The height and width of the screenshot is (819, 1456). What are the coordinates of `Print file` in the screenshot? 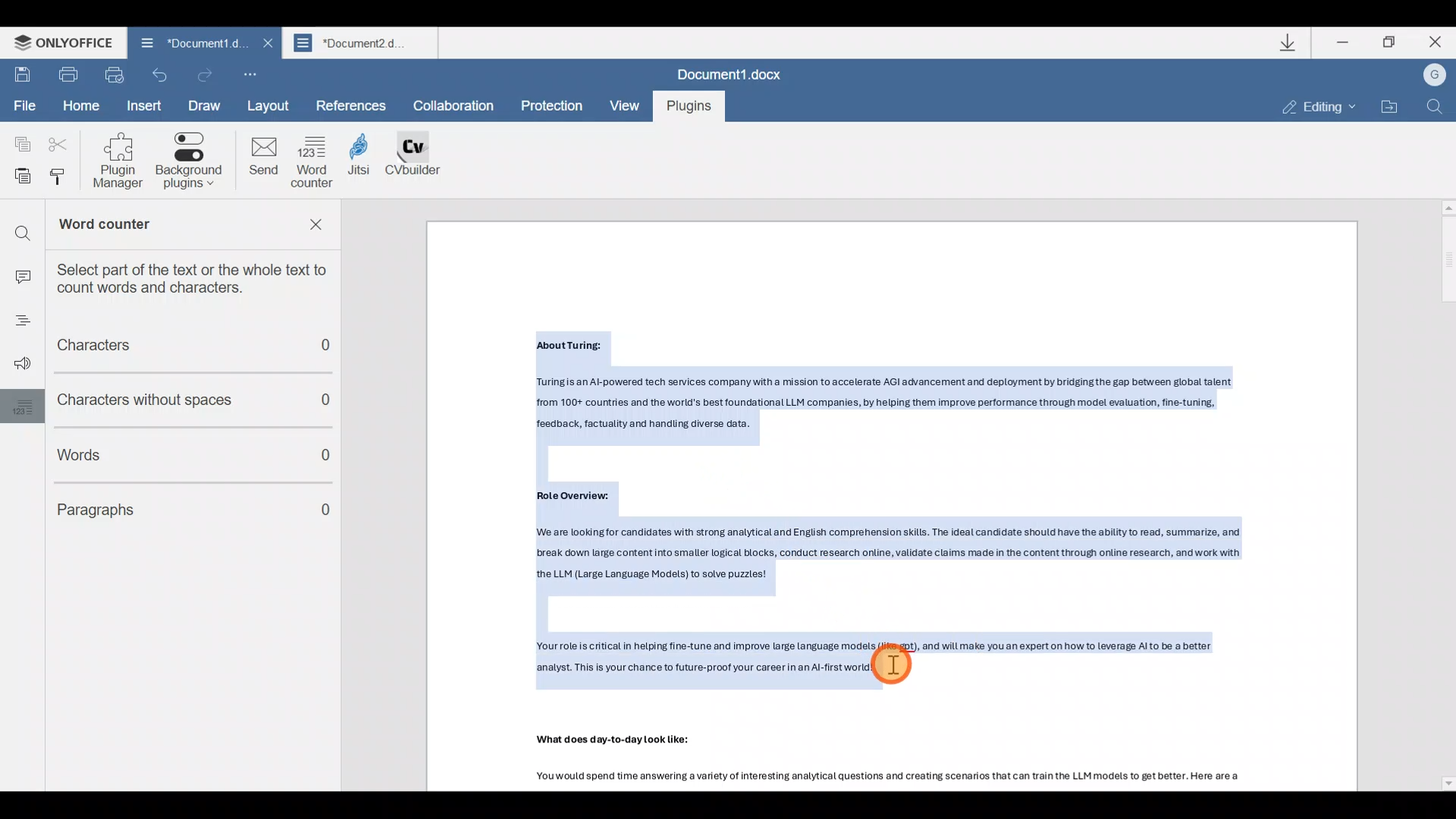 It's located at (68, 76).